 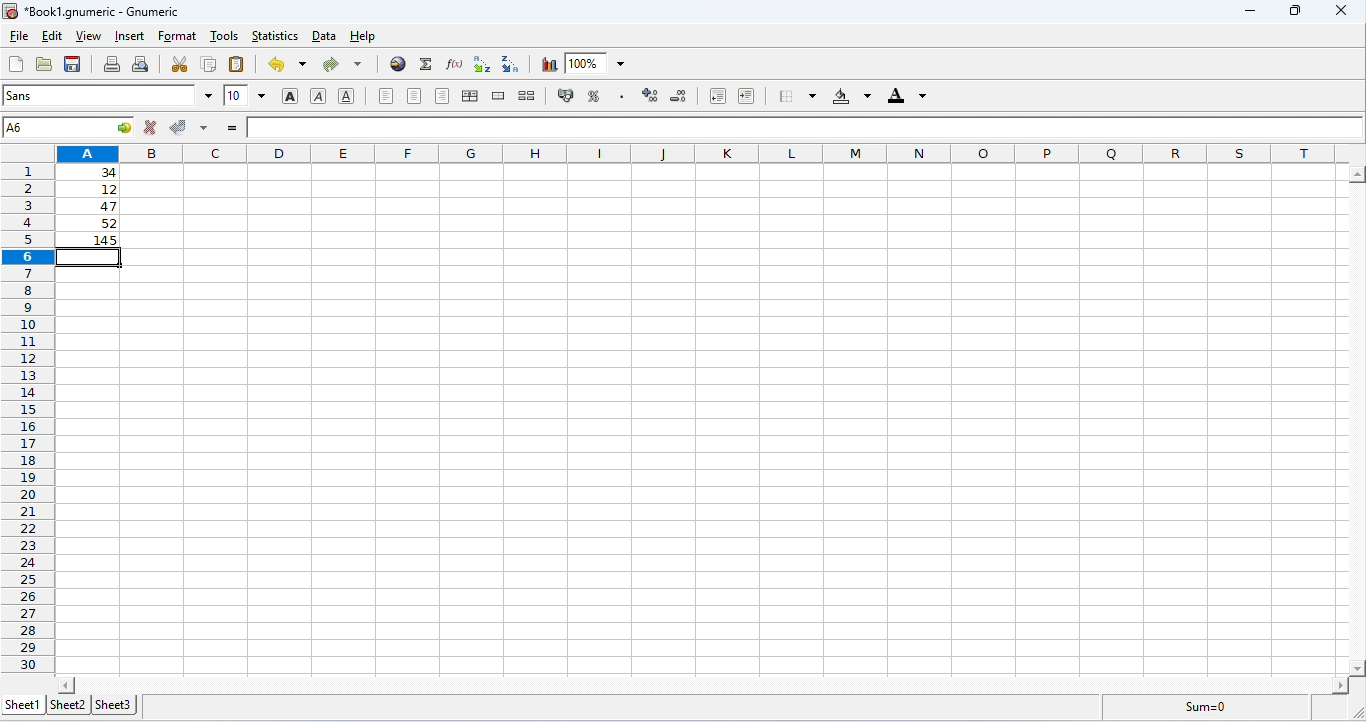 What do you see at coordinates (291, 97) in the screenshot?
I see `bold` at bounding box center [291, 97].